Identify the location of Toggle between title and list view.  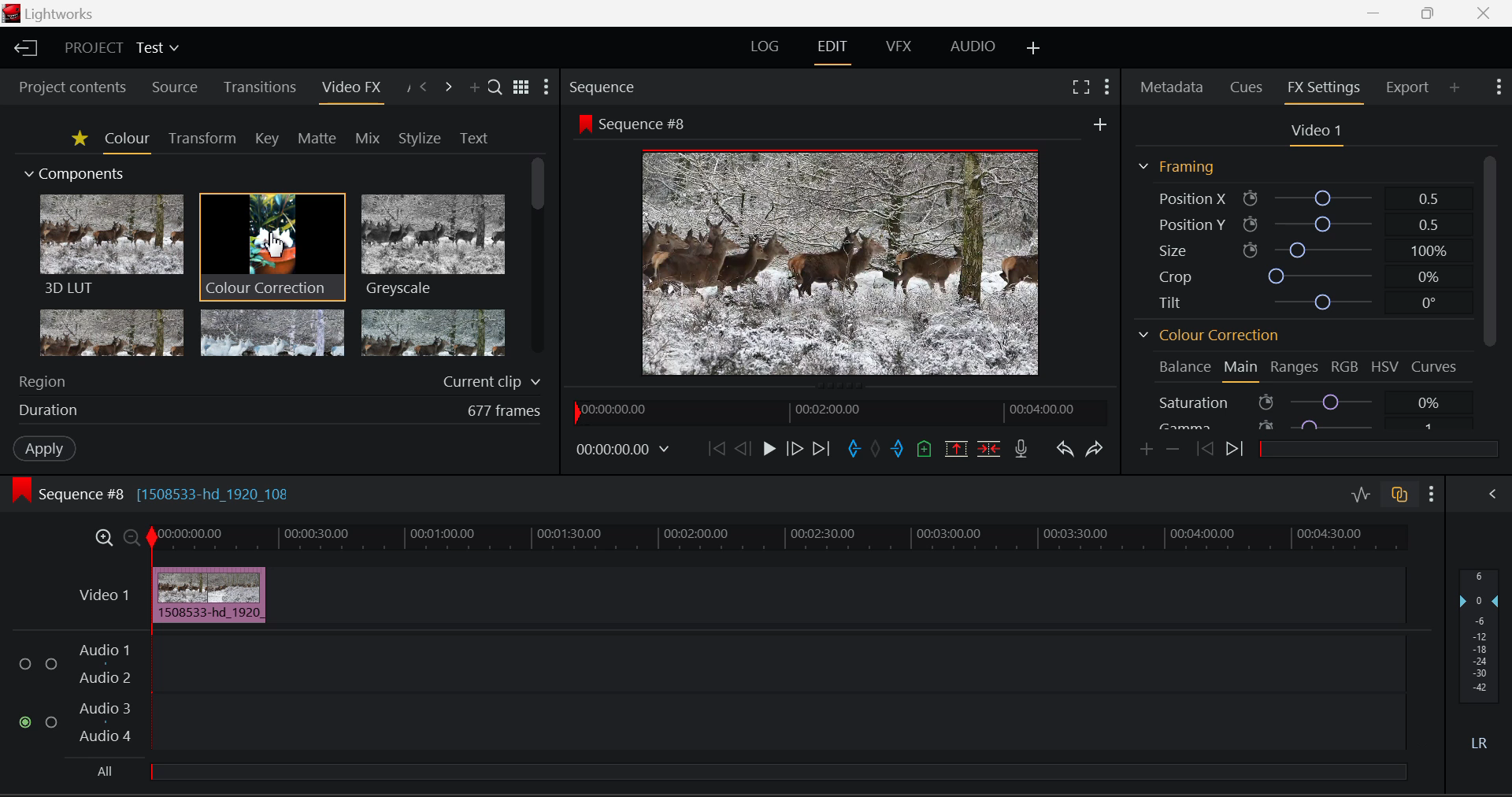
(521, 85).